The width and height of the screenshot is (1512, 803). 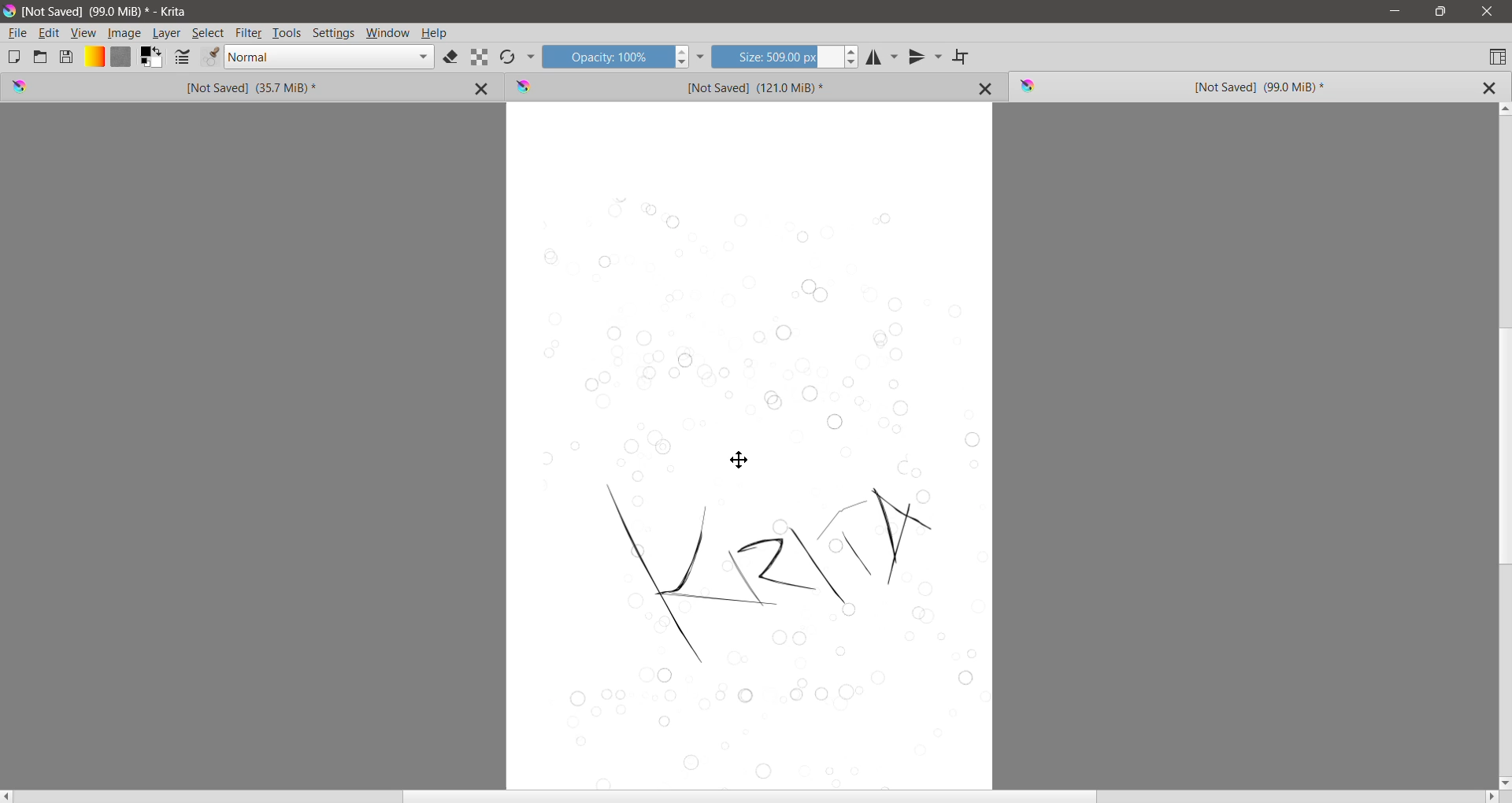 I want to click on Tools, so click(x=287, y=34).